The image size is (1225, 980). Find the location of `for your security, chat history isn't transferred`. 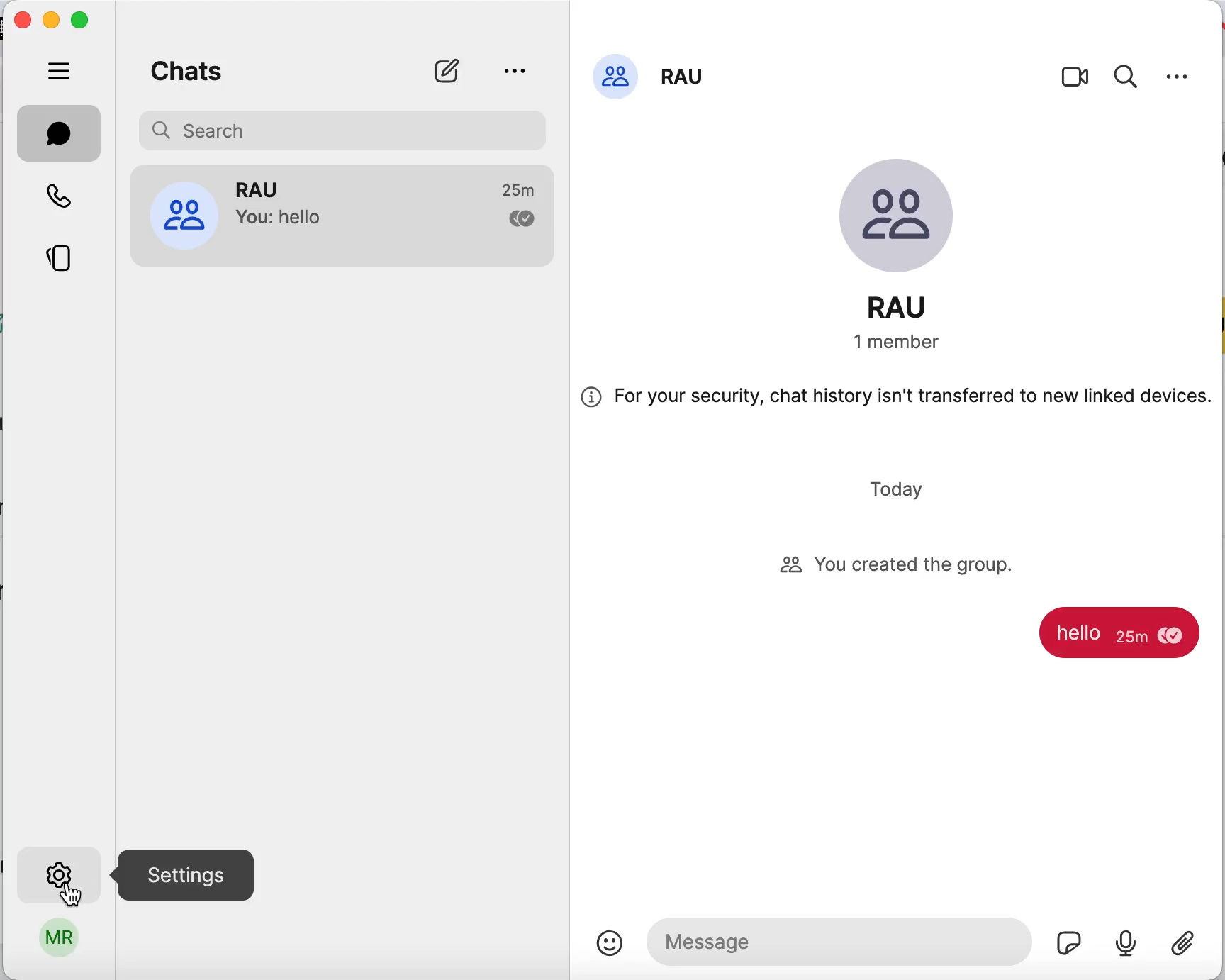

for your security, chat history isn't transferred is located at coordinates (898, 404).